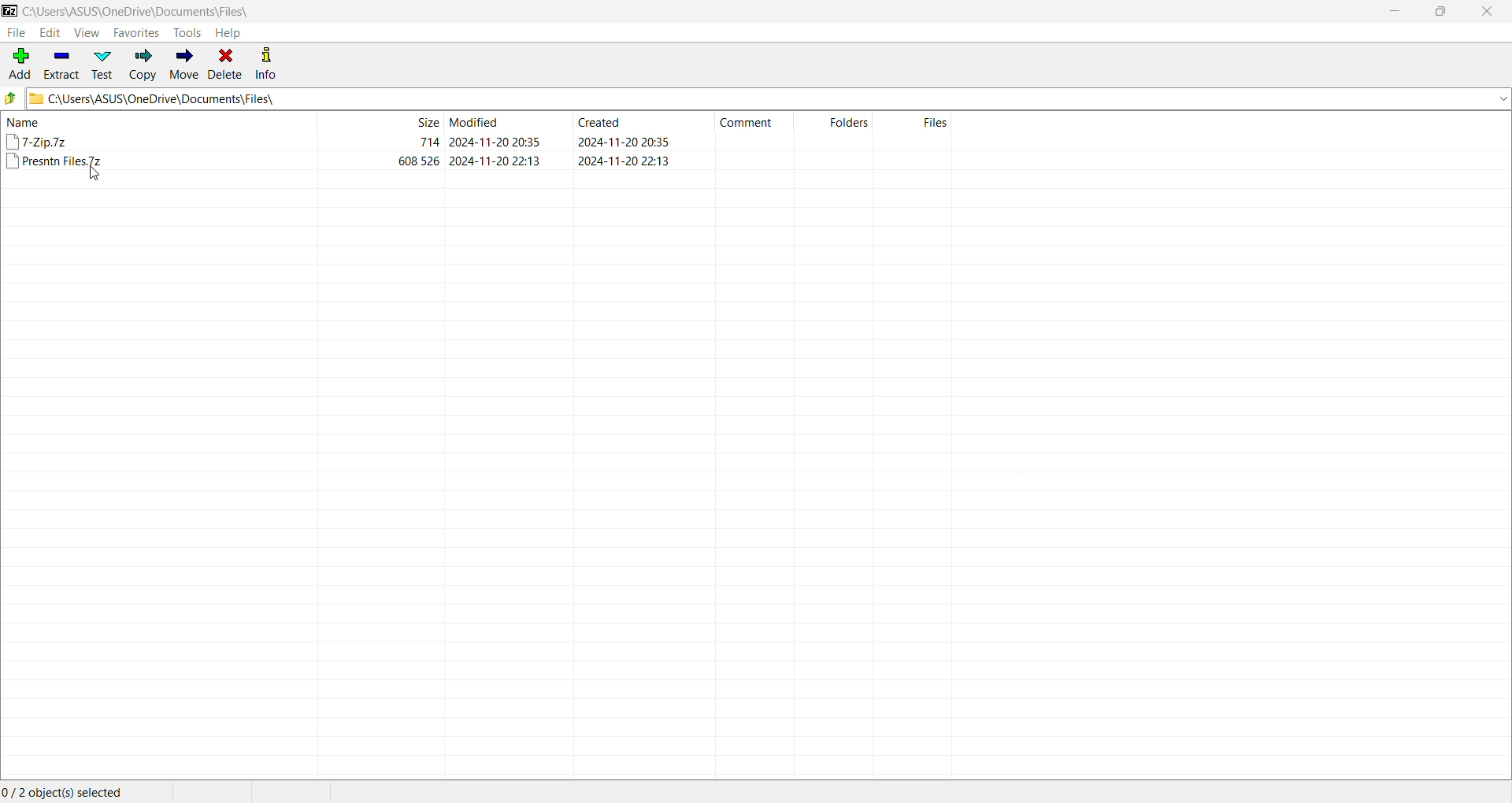  I want to click on Application Logo, so click(9, 10).